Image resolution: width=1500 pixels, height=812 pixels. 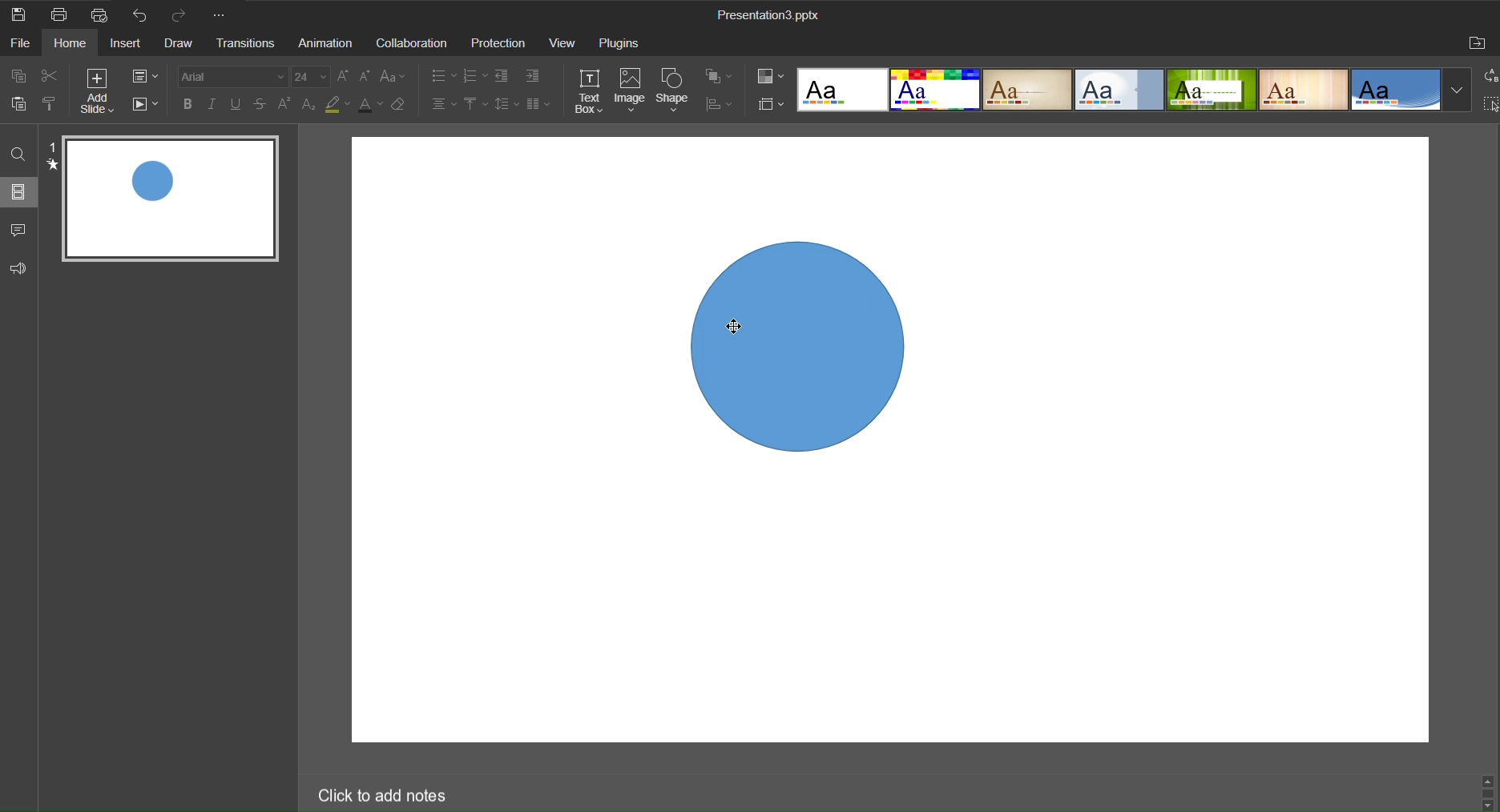 I want to click on Replace, so click(x=1487, y=76).